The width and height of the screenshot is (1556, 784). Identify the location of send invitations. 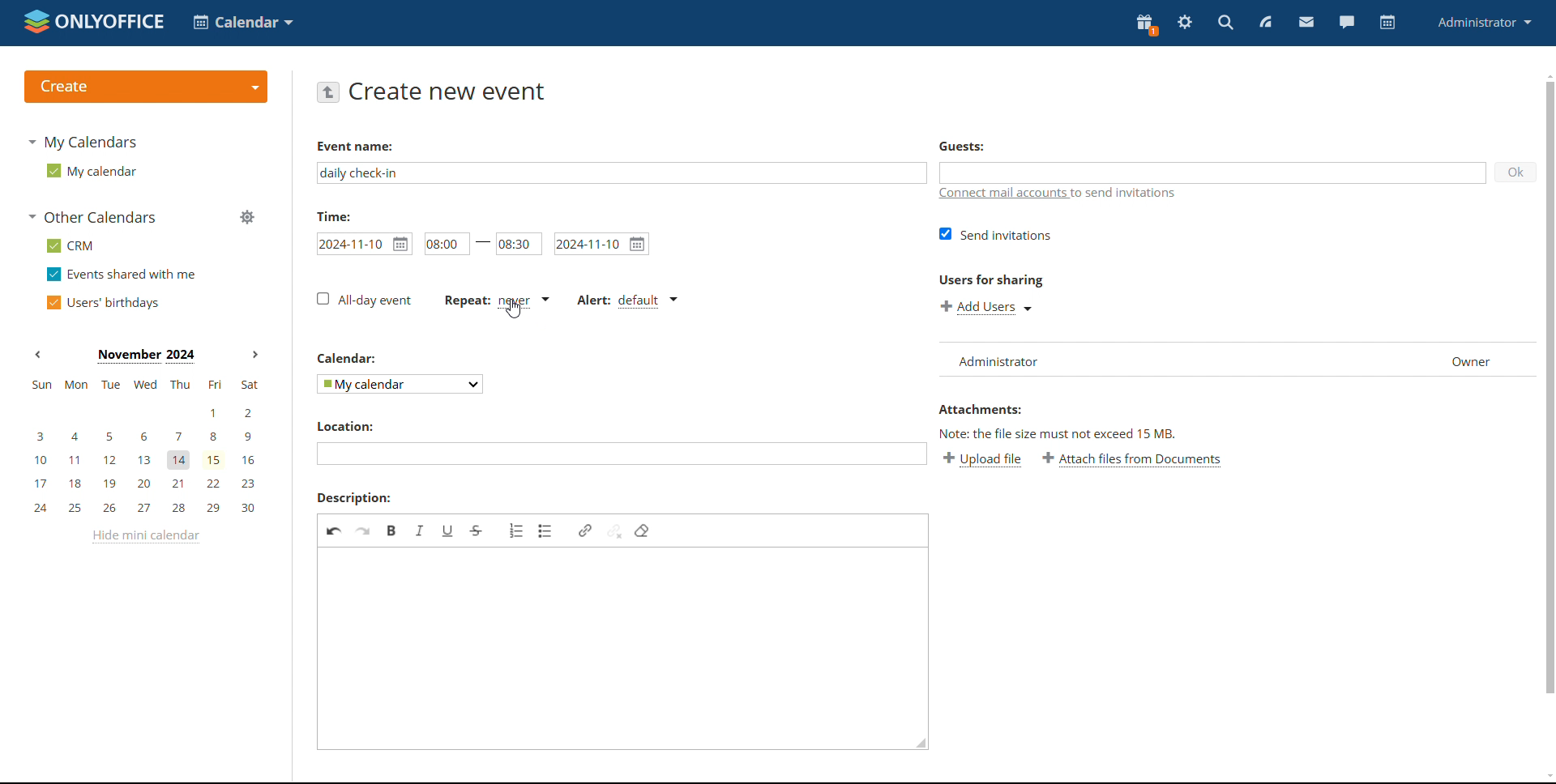
(997, 234).